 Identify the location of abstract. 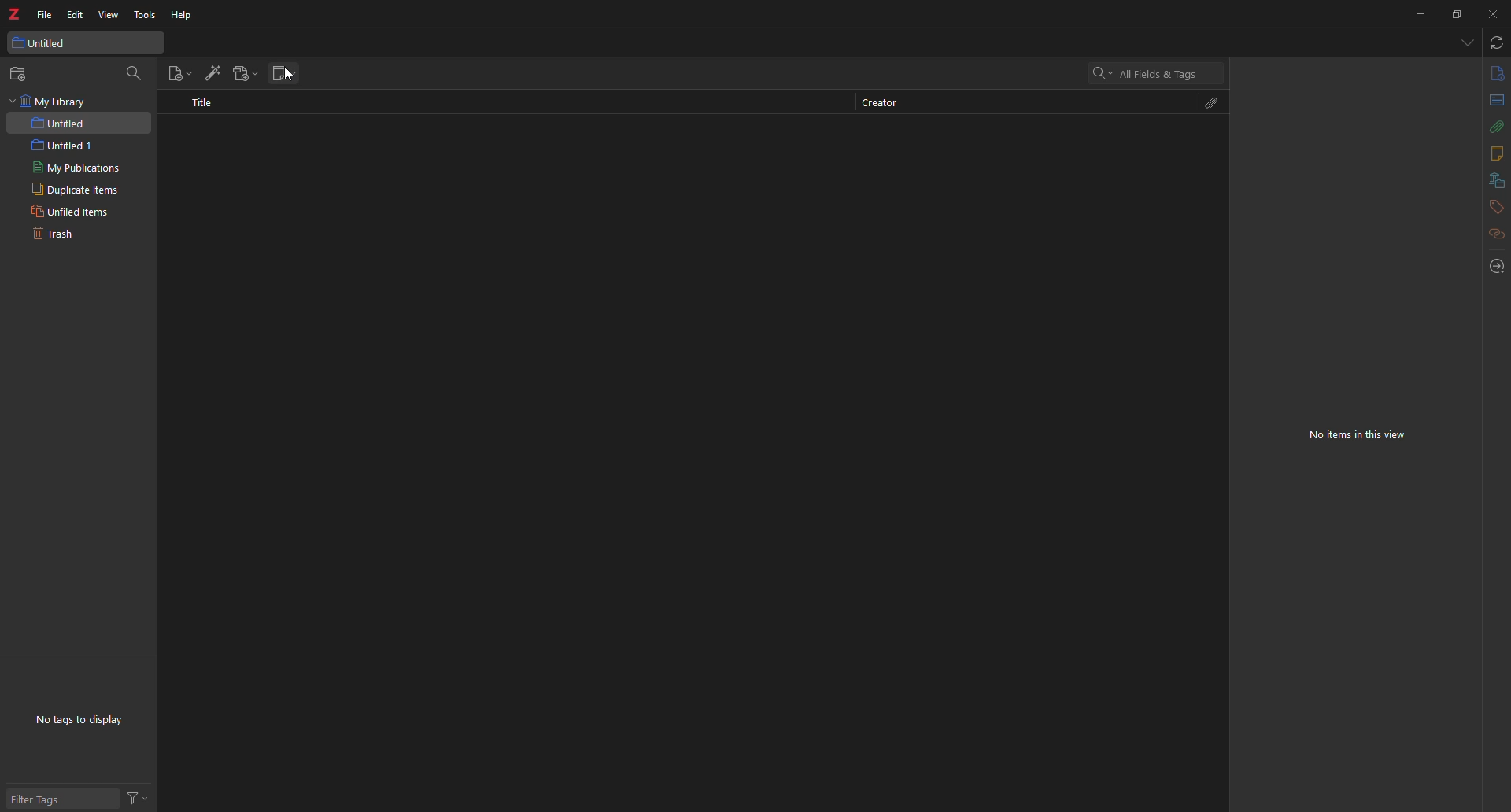
(1495, 101).